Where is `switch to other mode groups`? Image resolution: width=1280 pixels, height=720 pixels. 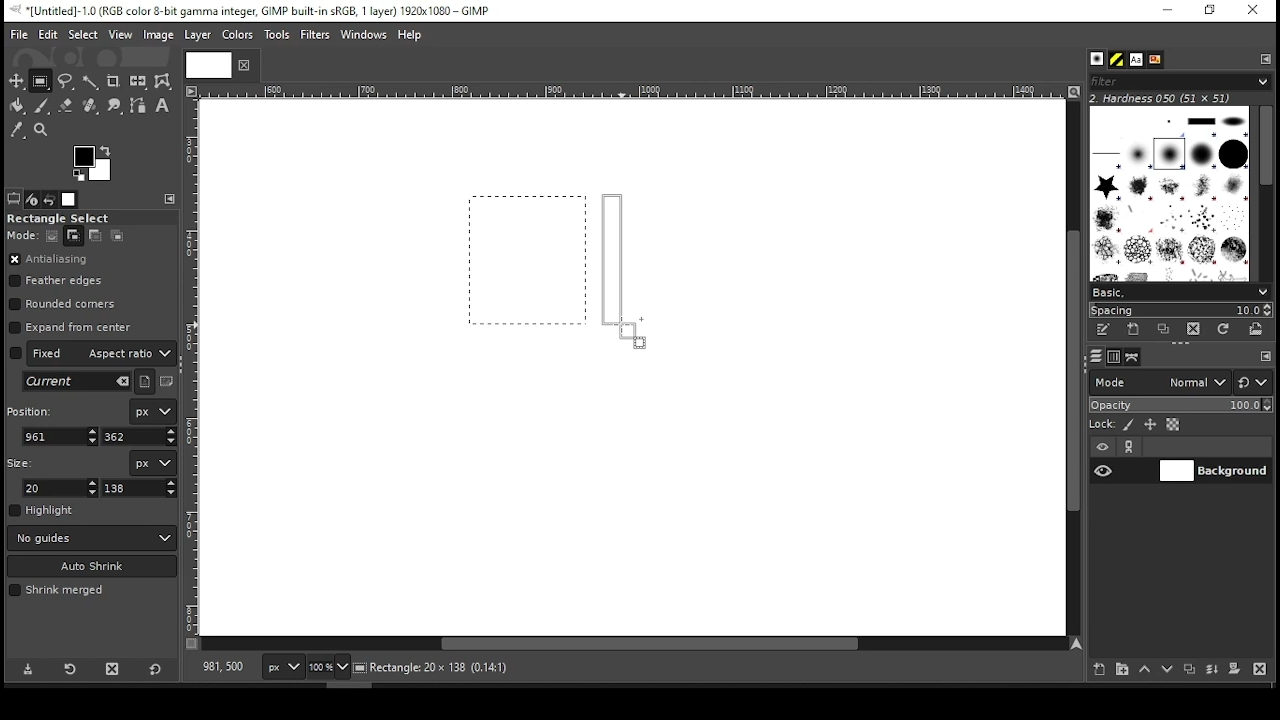
switch to other mode groups is located at coordinates (1252, 384).